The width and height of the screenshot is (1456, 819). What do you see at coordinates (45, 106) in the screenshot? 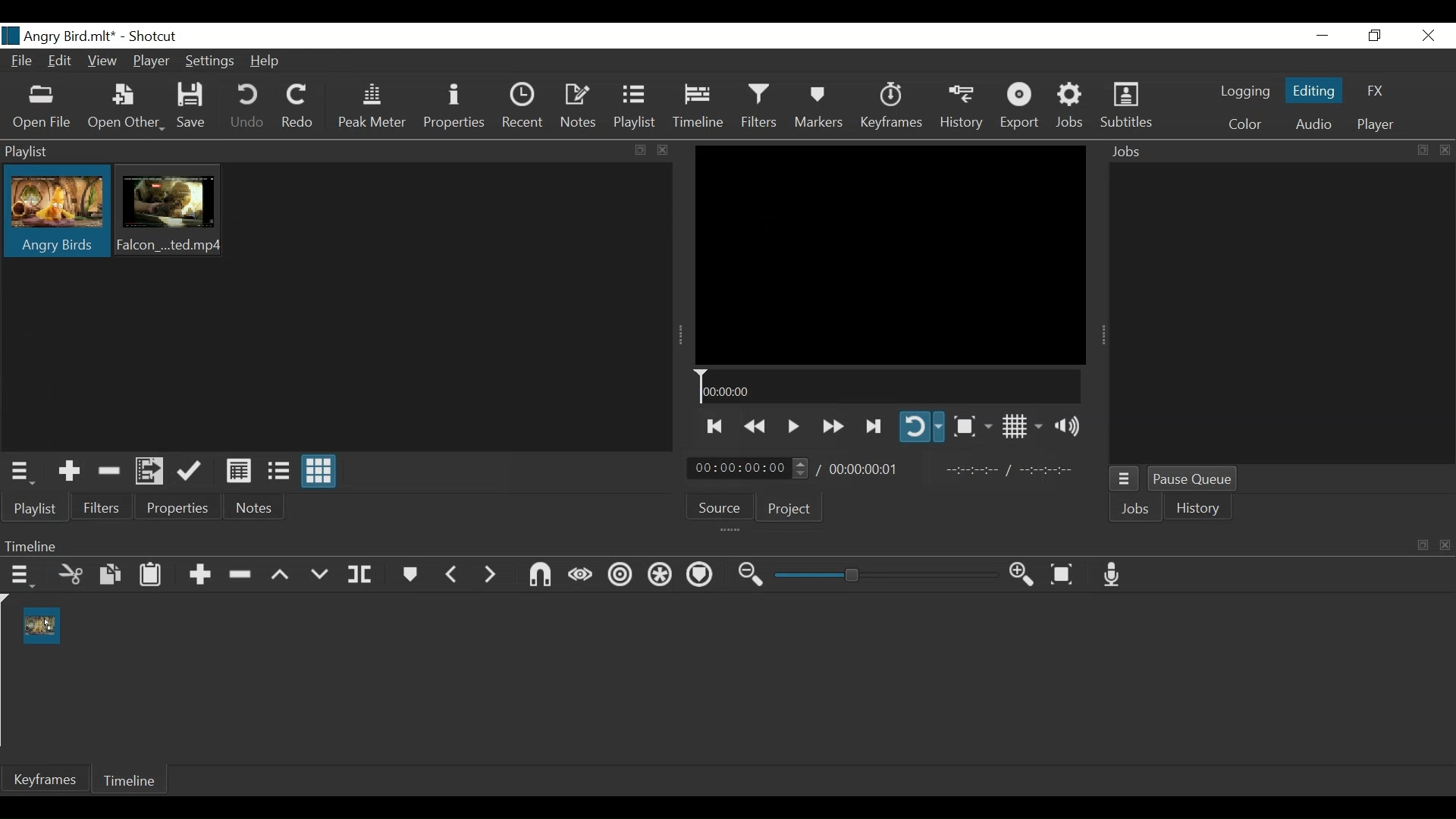
I see `Open File` at bounding box center [45, 106].